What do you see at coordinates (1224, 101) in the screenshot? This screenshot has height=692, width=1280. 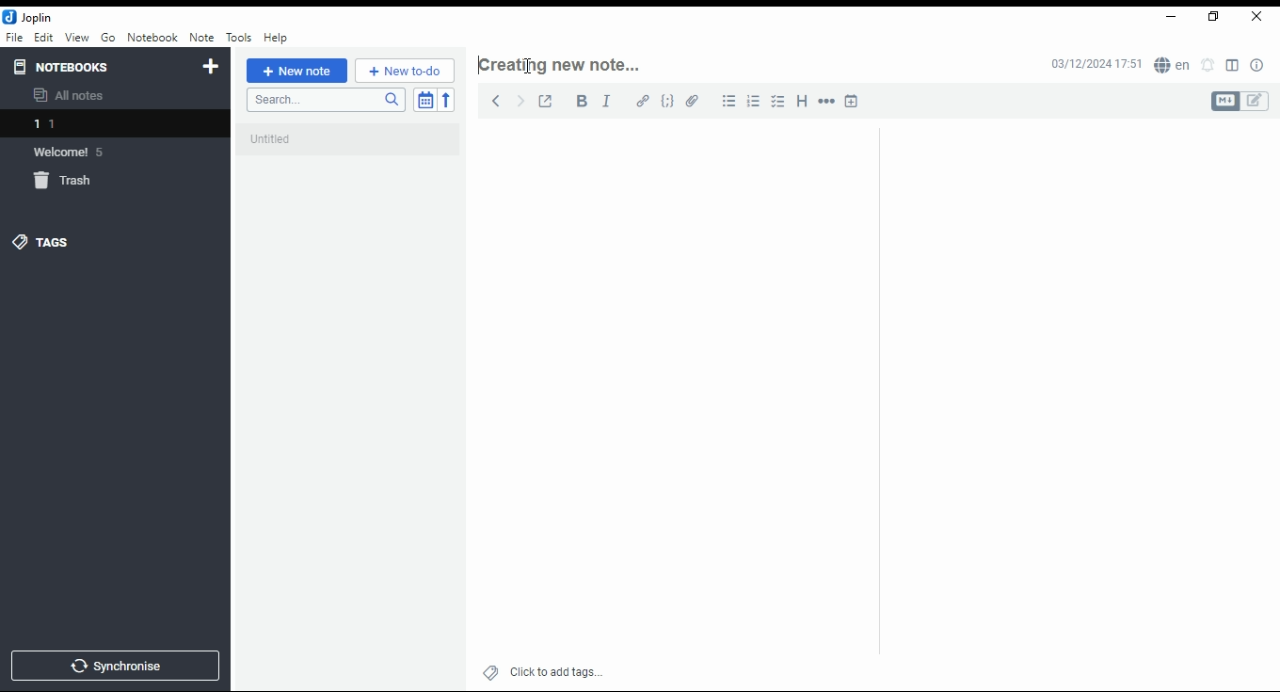 I see `Markdown` at bounding box center [1224, 101].